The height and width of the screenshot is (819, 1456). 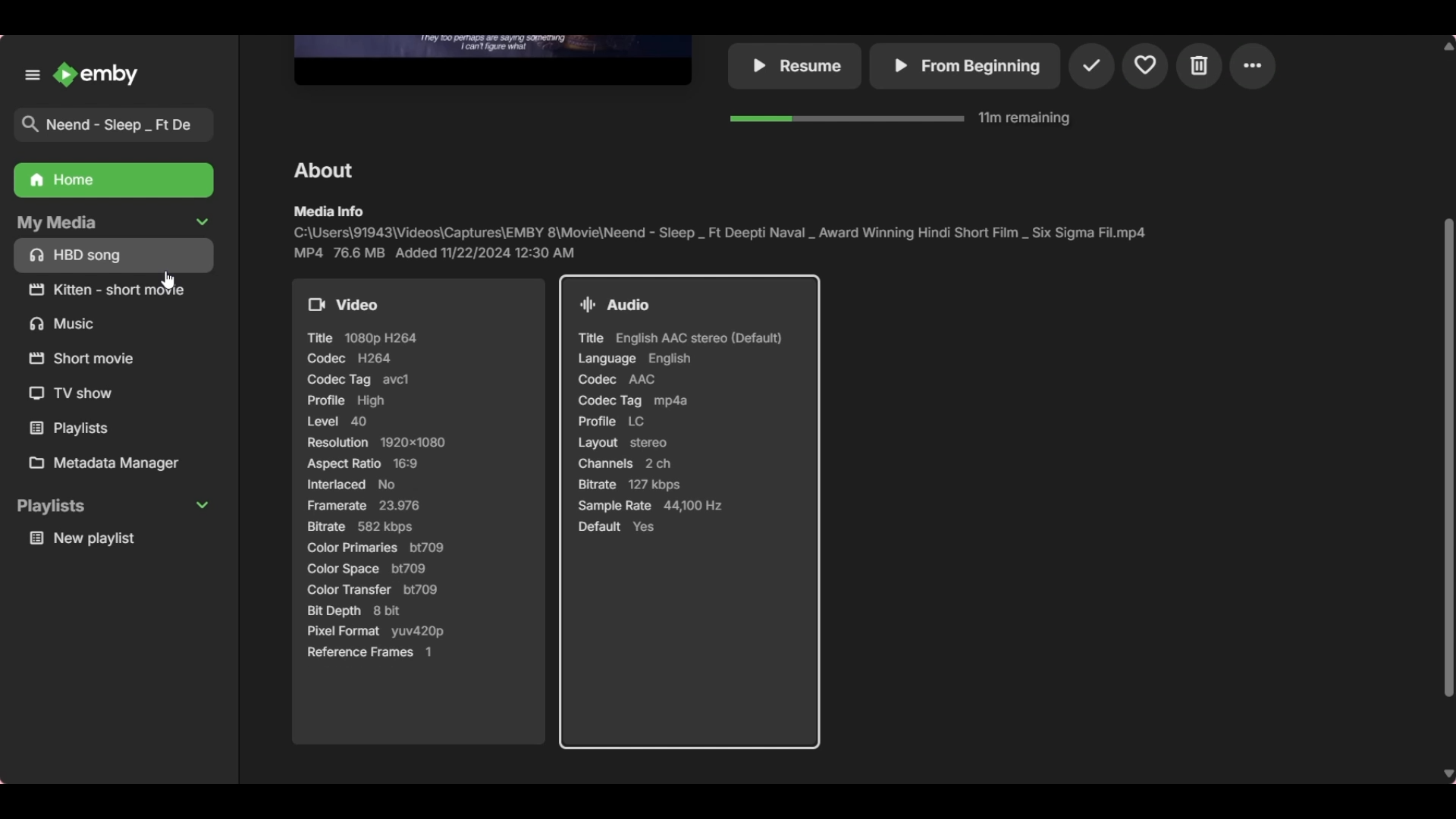 I want to click on , so click(x=690, y=515).